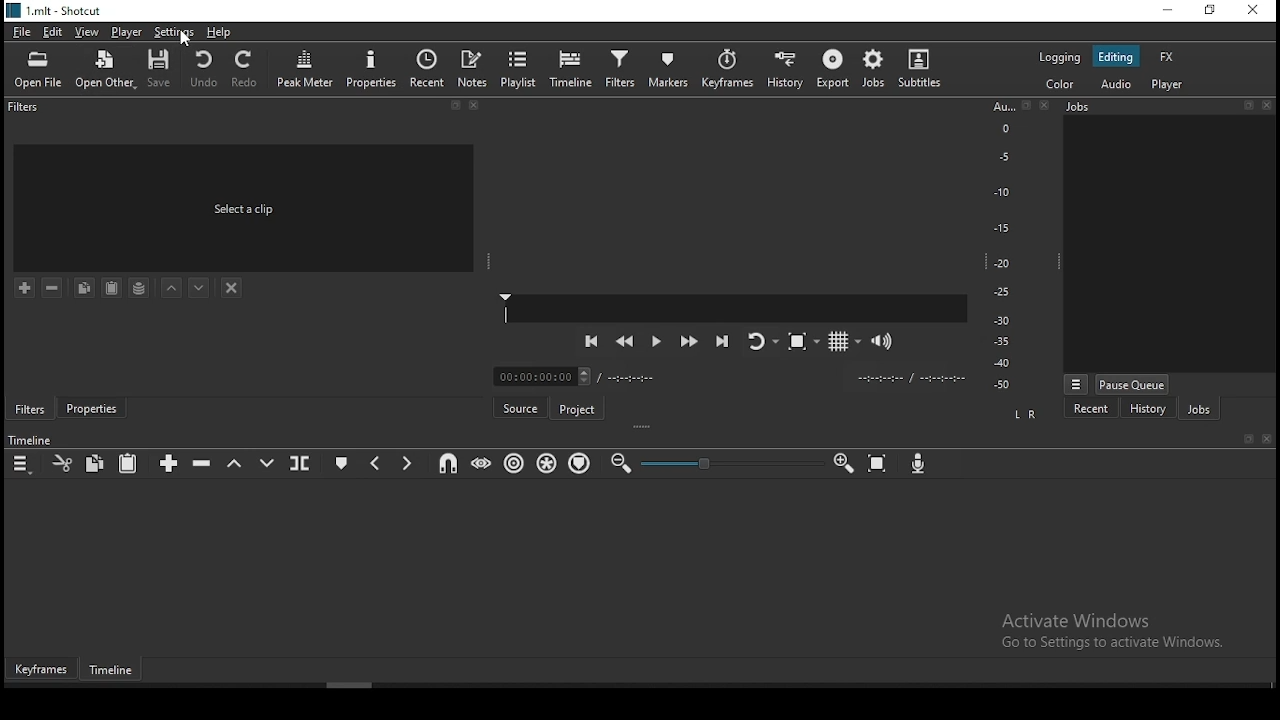 This screenshot has width=1280, height=720. I want to click on audio, so click(1119, 85).